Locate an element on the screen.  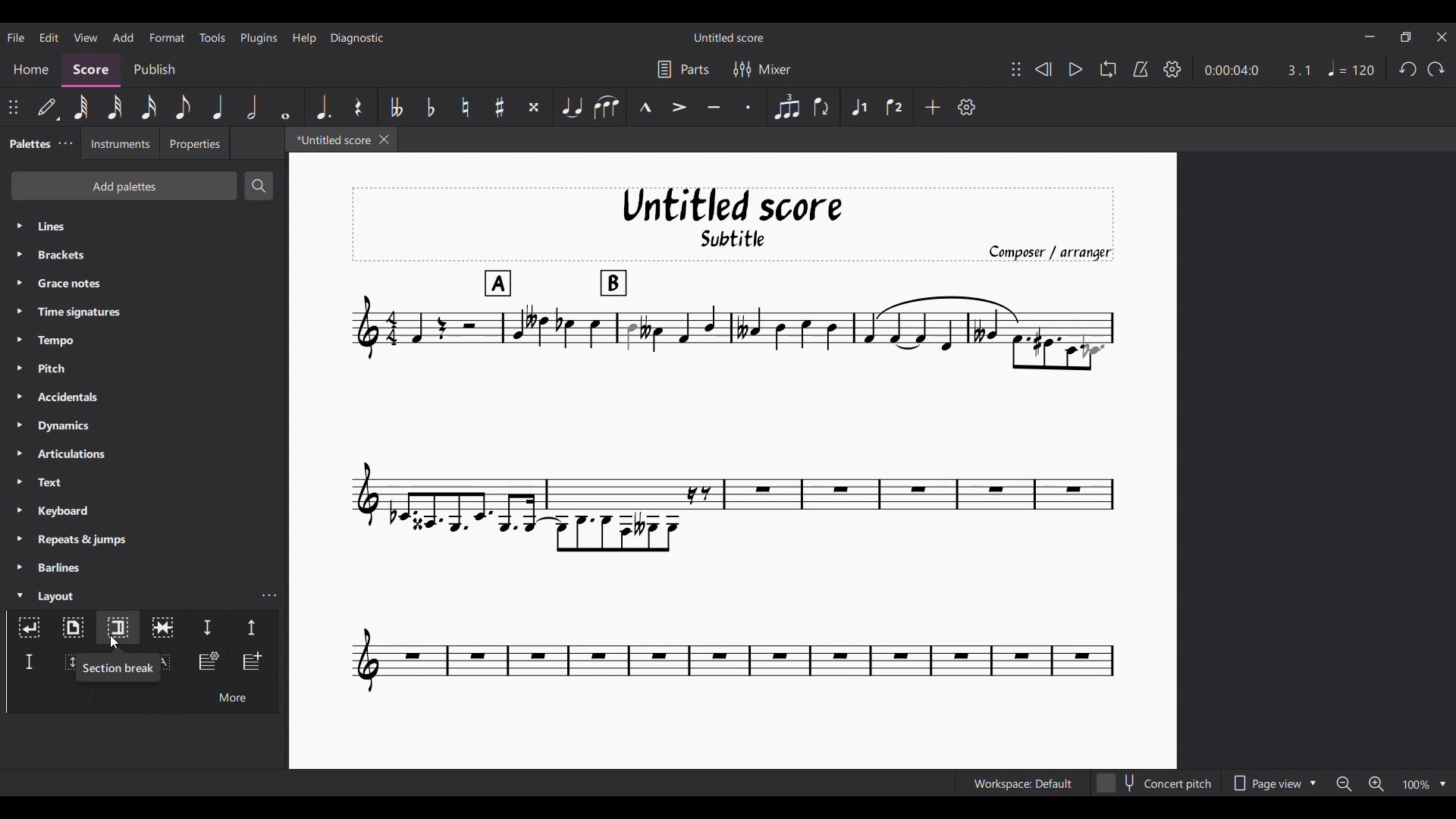
Instruments is located at coordinates (119, 143).